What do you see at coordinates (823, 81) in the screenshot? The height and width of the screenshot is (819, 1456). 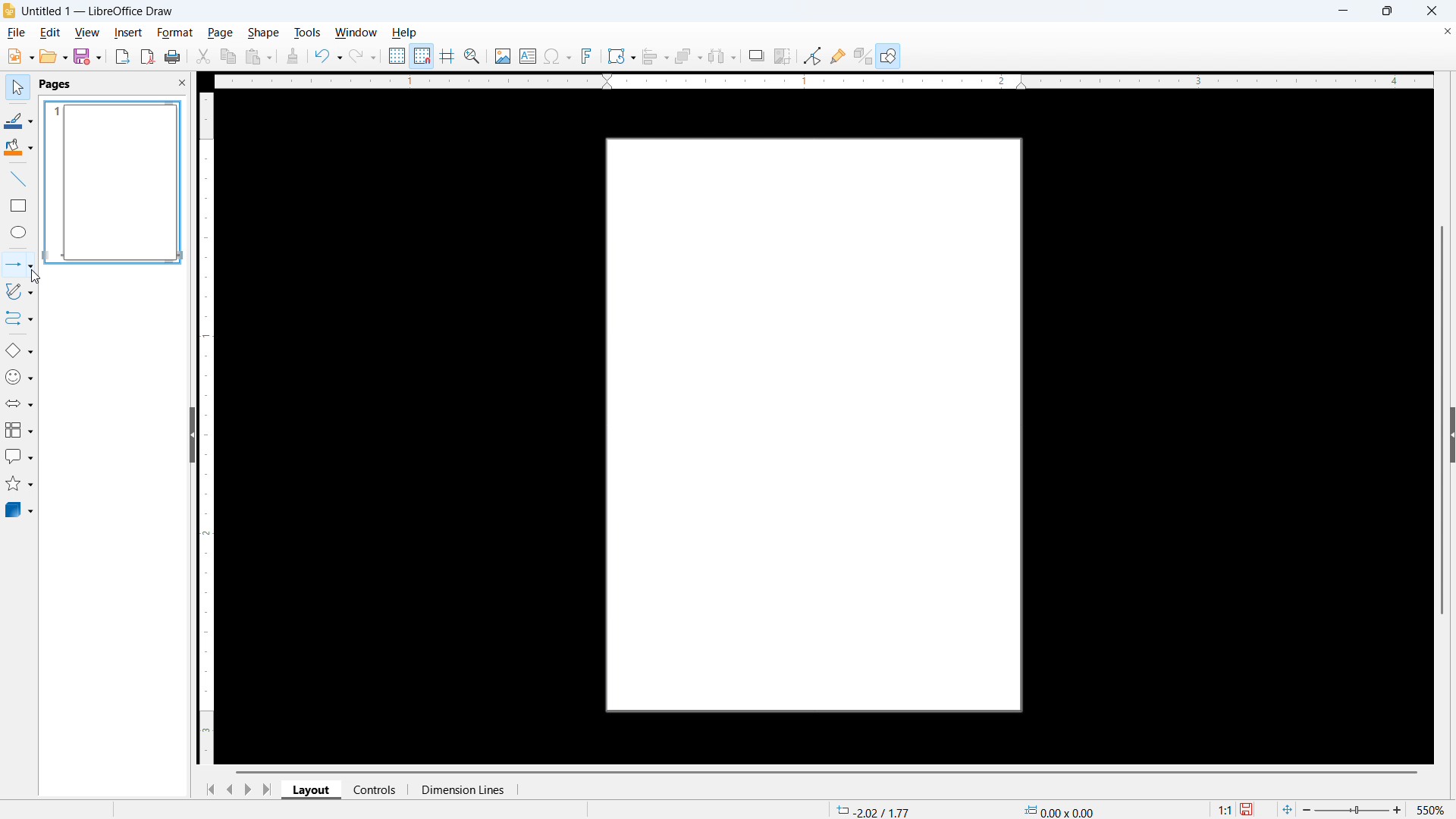 I see `Horizontal ruler ` at bounding box center [823, 81].